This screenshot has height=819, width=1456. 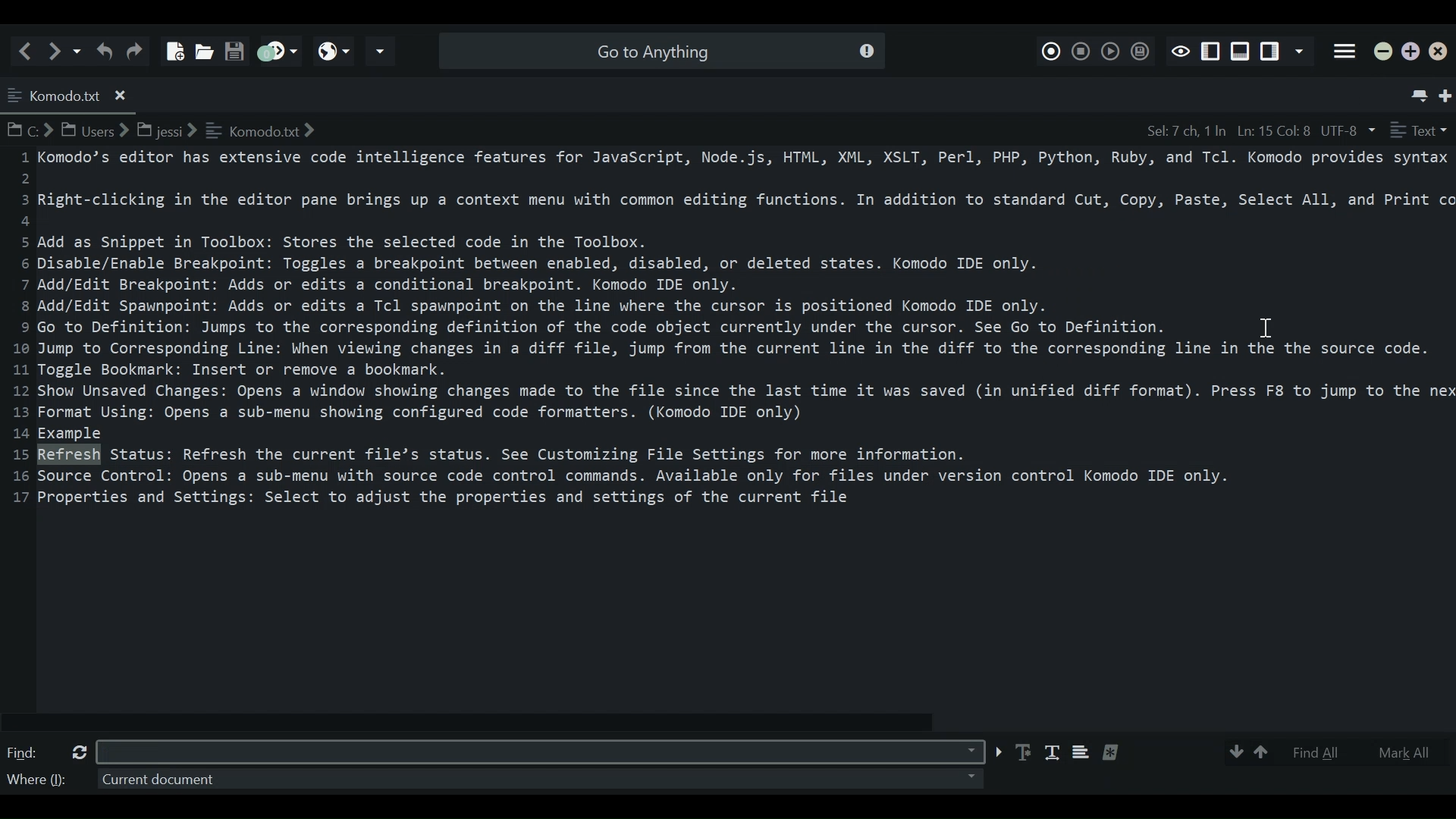 What do you see at coordinates (1405, 752) in the screenshot?
I see `Mark All` at bounding box center [1405, 752].